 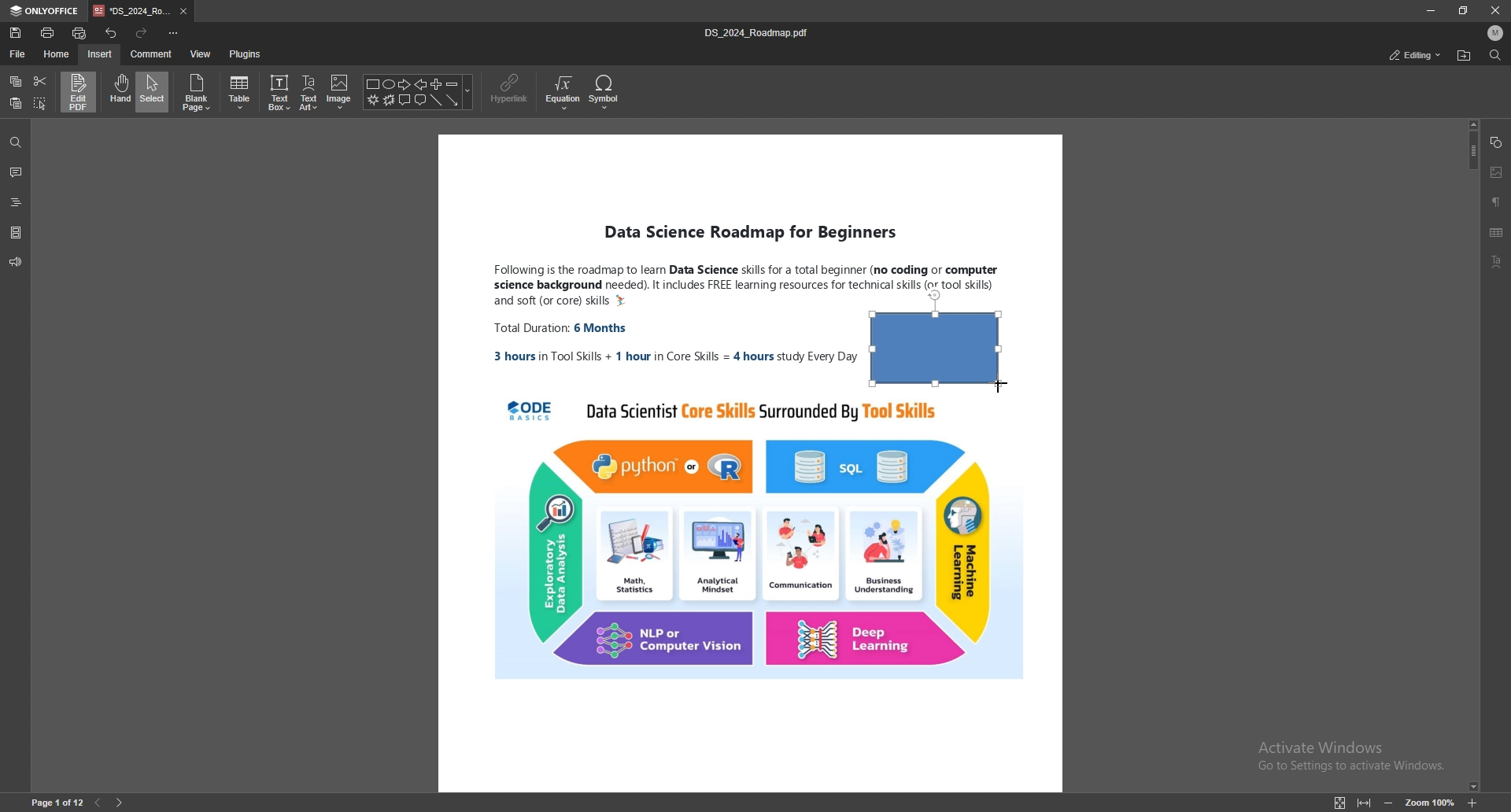 What do you see at coordinates (112, 31) in the screenshot?
I see `undo` at bounding box center [112, 31].